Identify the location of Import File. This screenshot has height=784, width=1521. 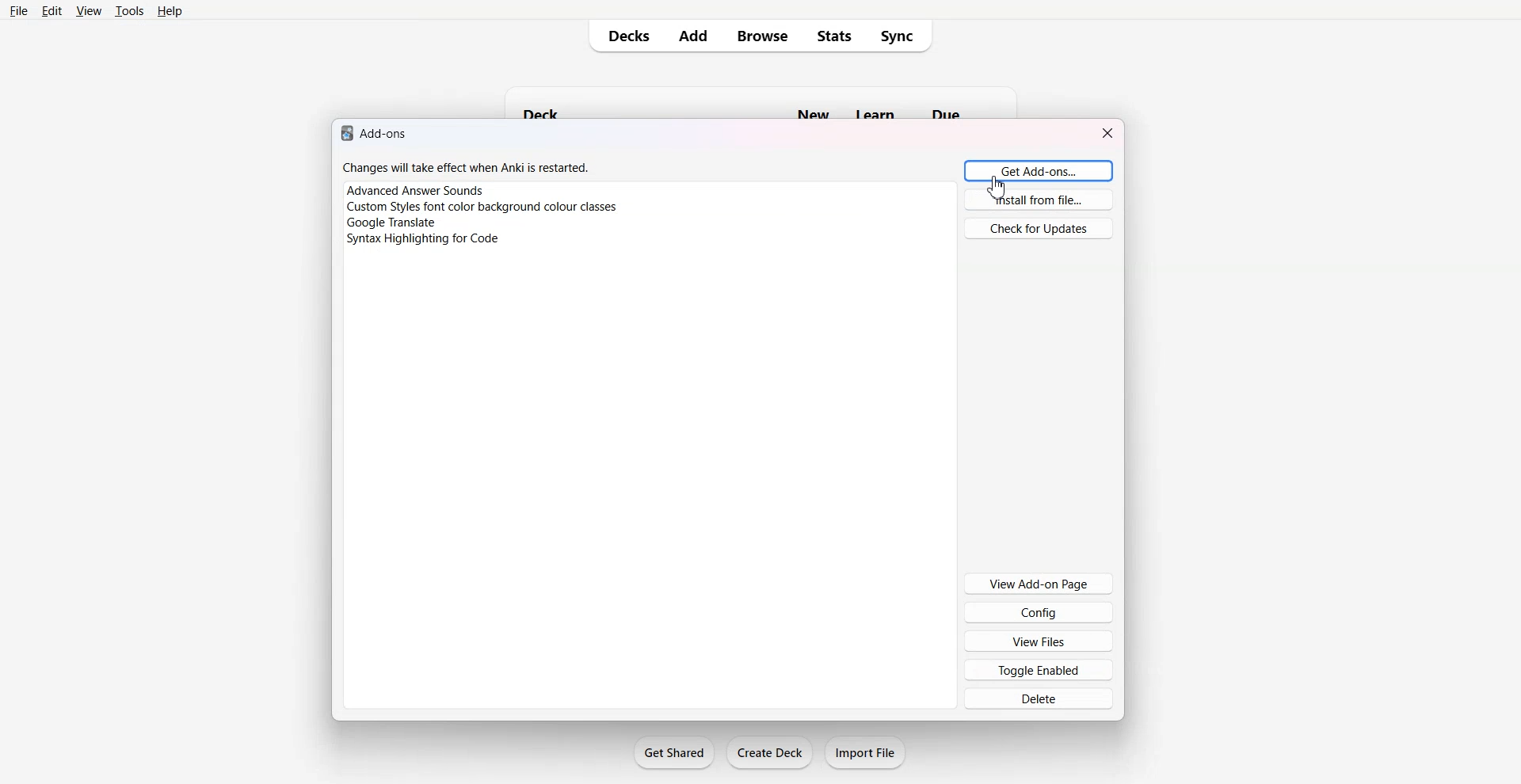
(867, 752).